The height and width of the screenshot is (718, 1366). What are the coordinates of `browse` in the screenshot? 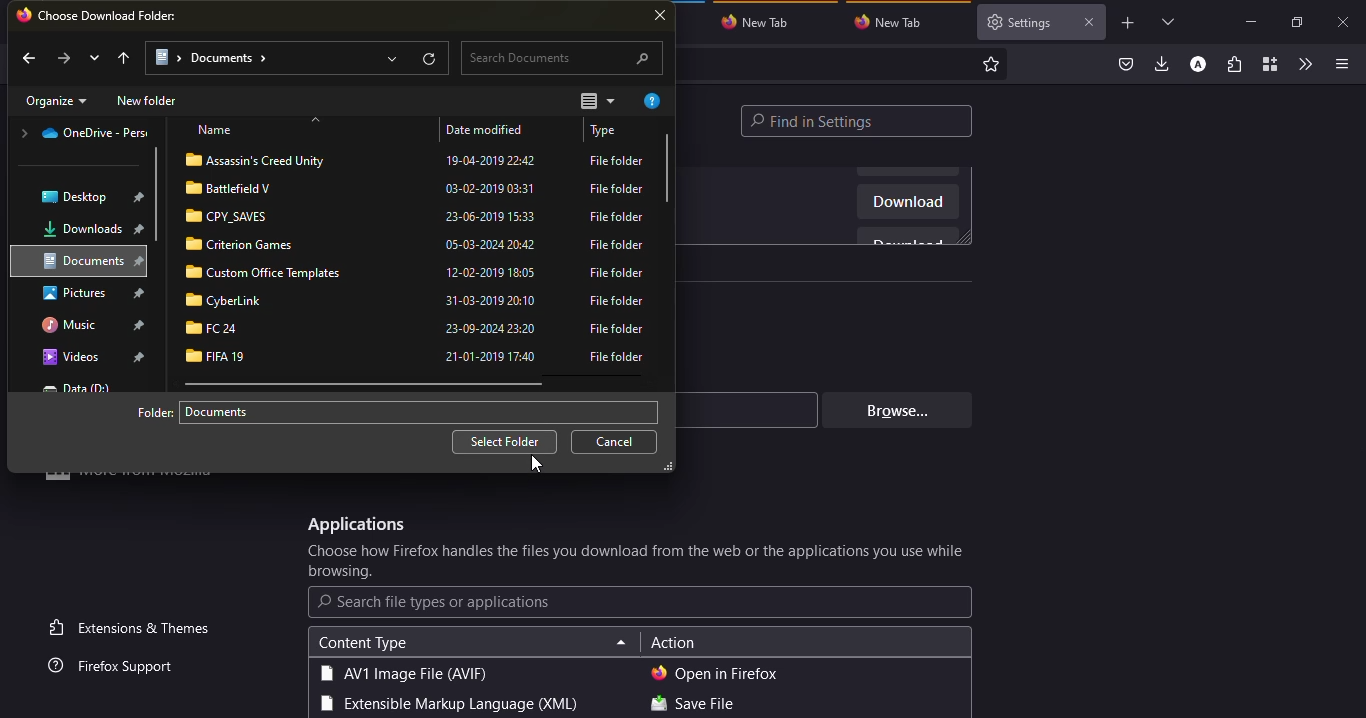 It's located at (893, 410).